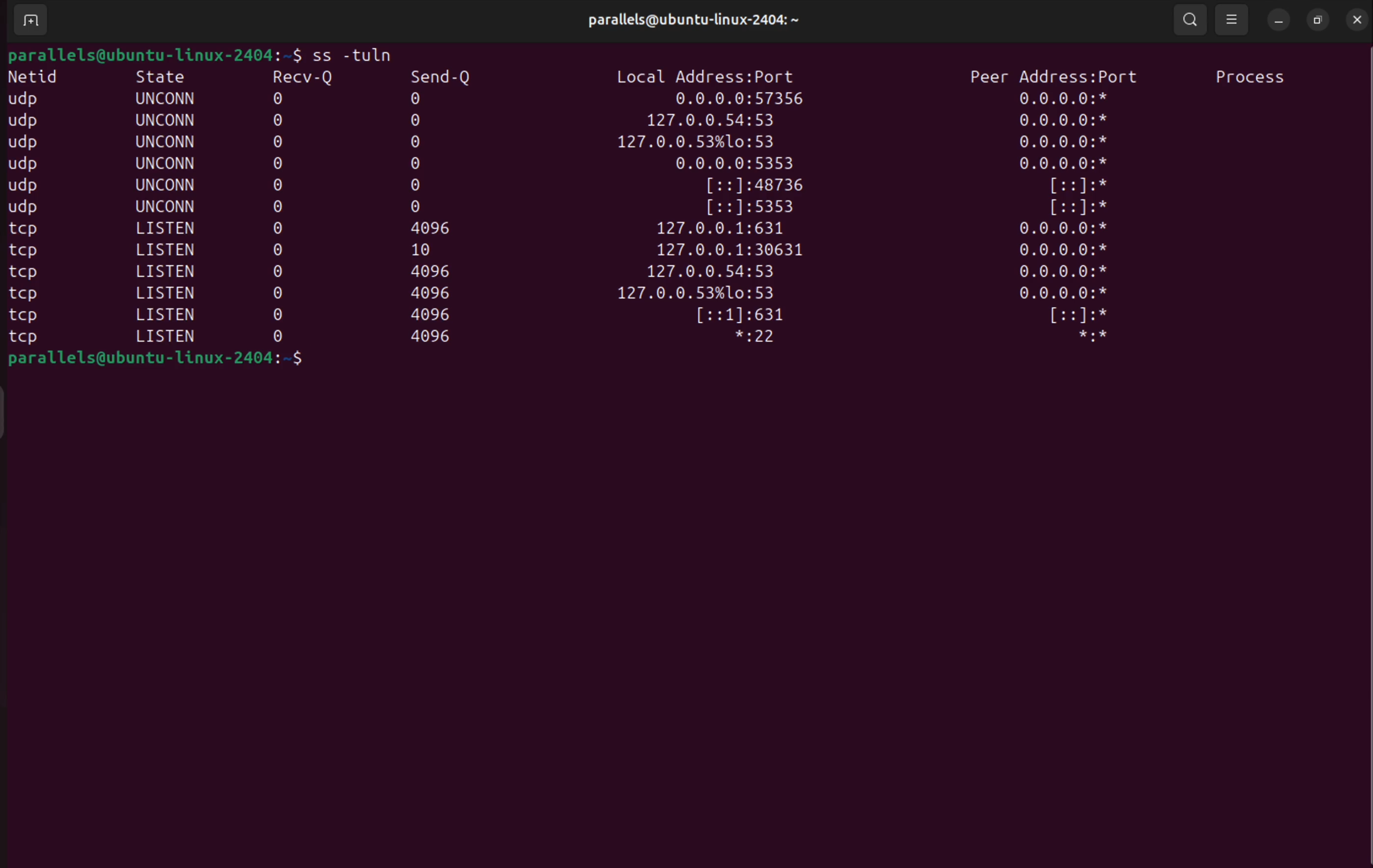 The height and width of the screenshot is (868, 1373). What do you see at coordinates (715, 274) in the screenshot?
I see `127,.0.0.0` at bounding box center [715, 274].